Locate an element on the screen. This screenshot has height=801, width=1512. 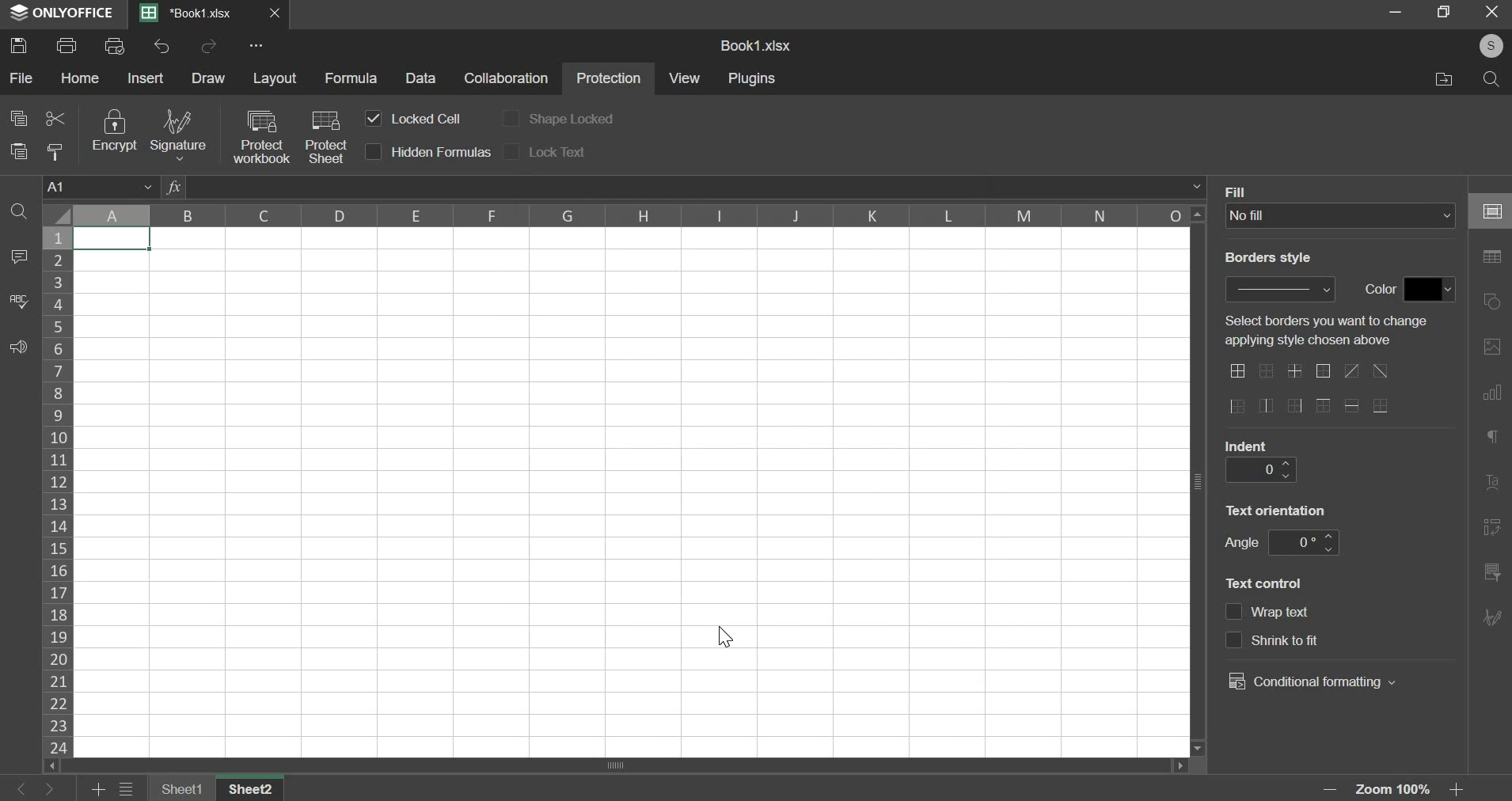
data is located at coordinates (423, 78).